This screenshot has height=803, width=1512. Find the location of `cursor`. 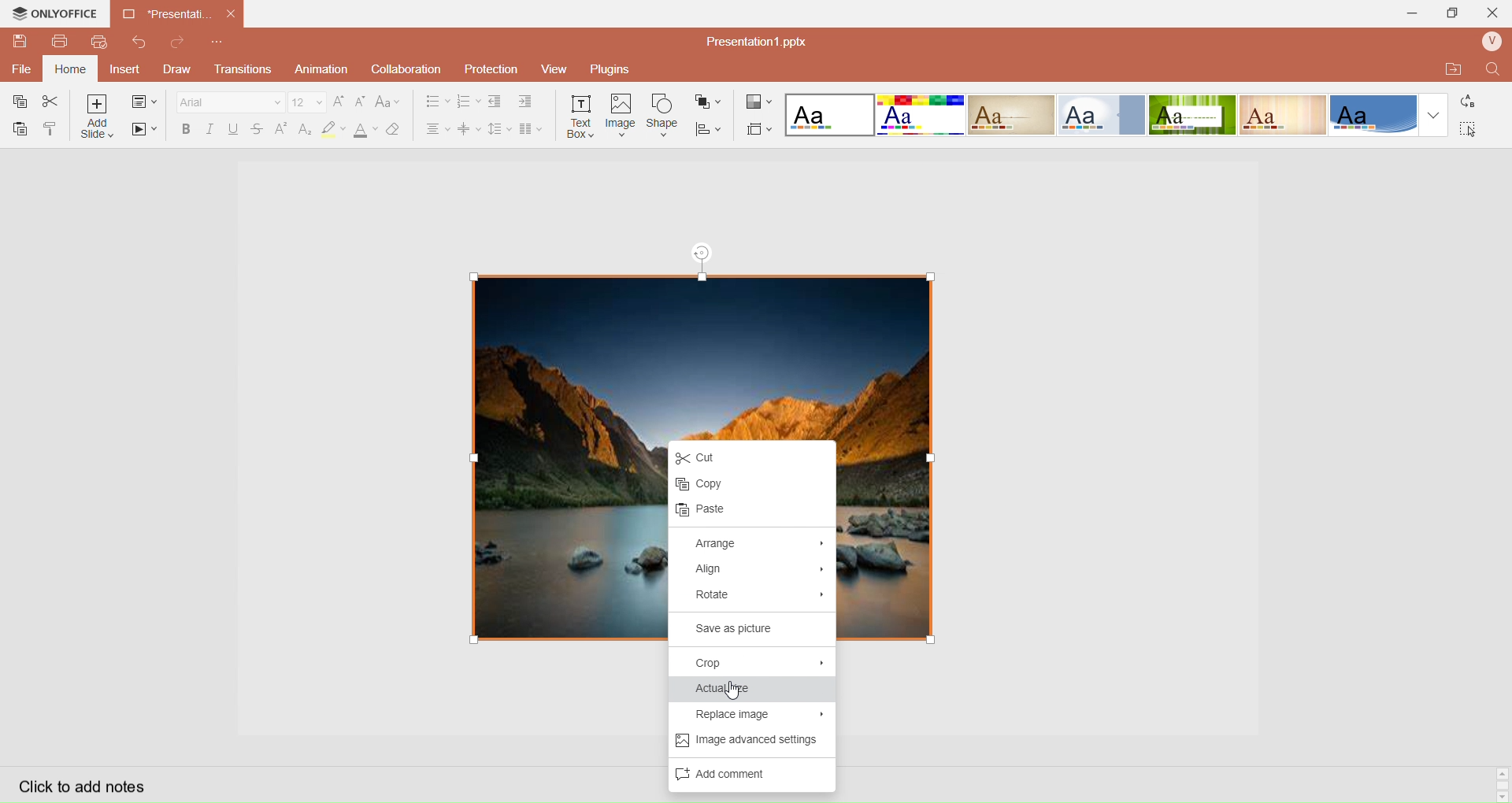

cursor is located at coordinates (732, 690).